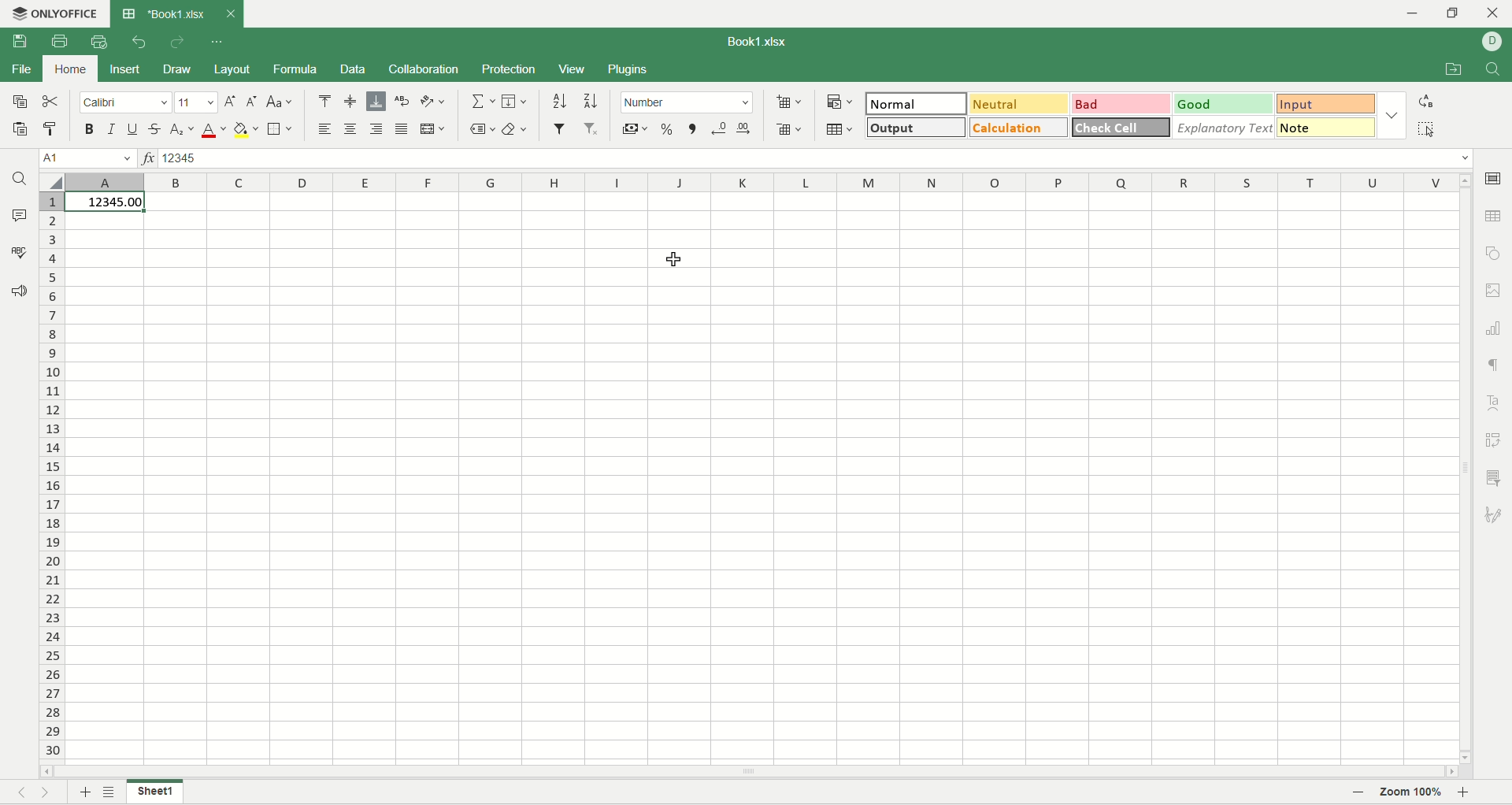  What do you see at coordinates (246, 130) in the screenshot?
I see `background color` at bounding box center [246, 130].